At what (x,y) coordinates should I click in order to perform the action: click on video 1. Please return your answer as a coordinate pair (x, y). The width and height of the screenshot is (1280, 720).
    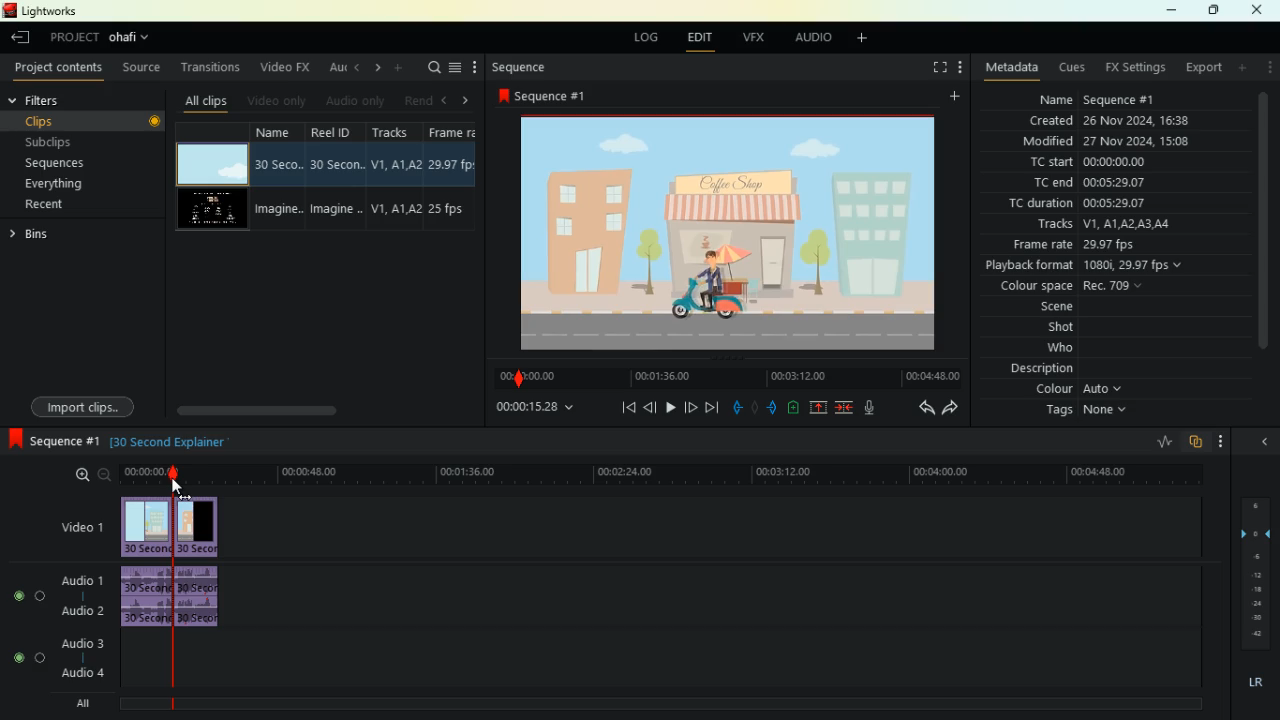
    Looking at the image, I should click on (81, 525).